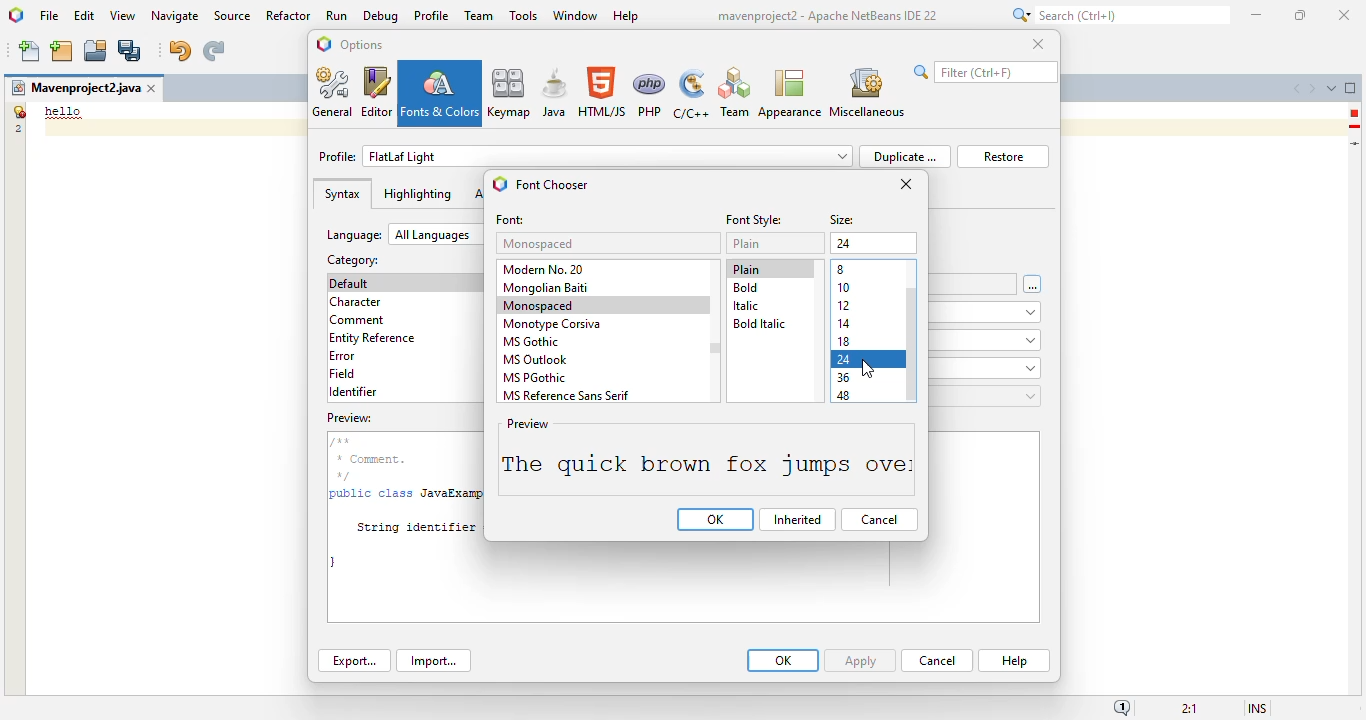 The width and height of the screenshot is (1366, 720). Describe the element at coordinates (690, 94) in the screenshot. I see `C/C++` at that location.